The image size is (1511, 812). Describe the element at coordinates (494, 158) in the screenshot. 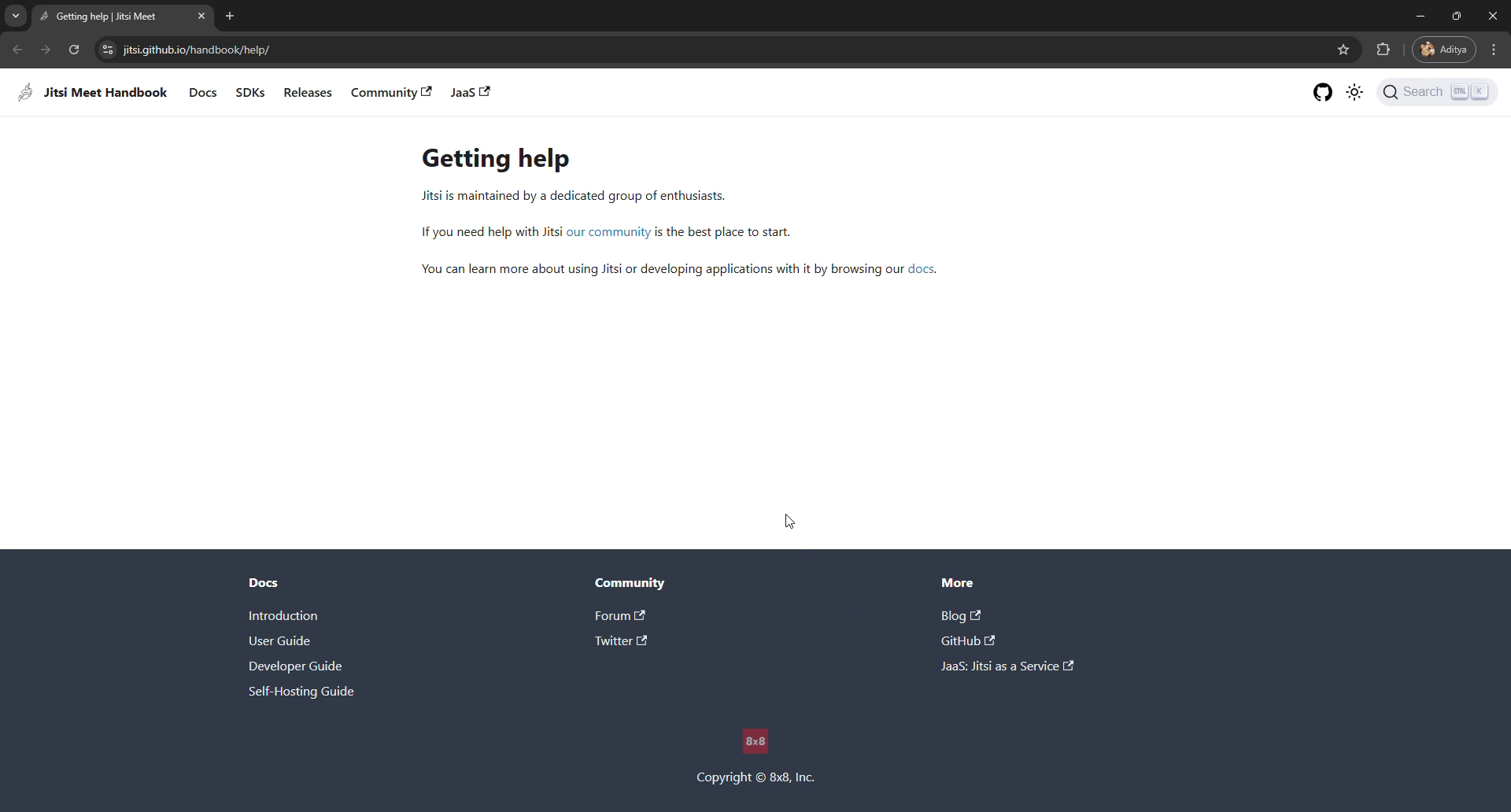

I see `getting help` at that location.